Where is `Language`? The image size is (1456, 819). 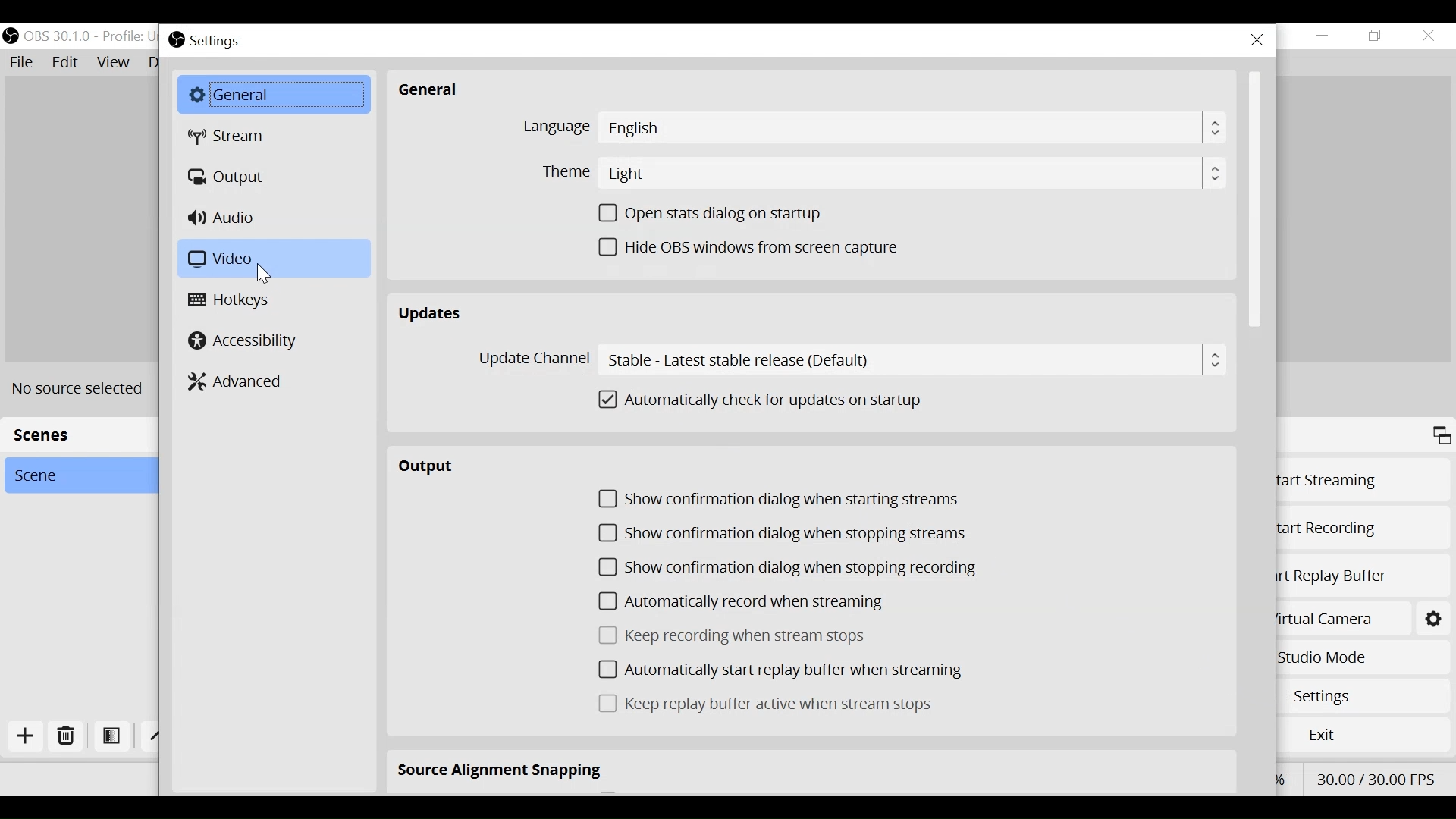 Language is located at coordinates (557, 127).